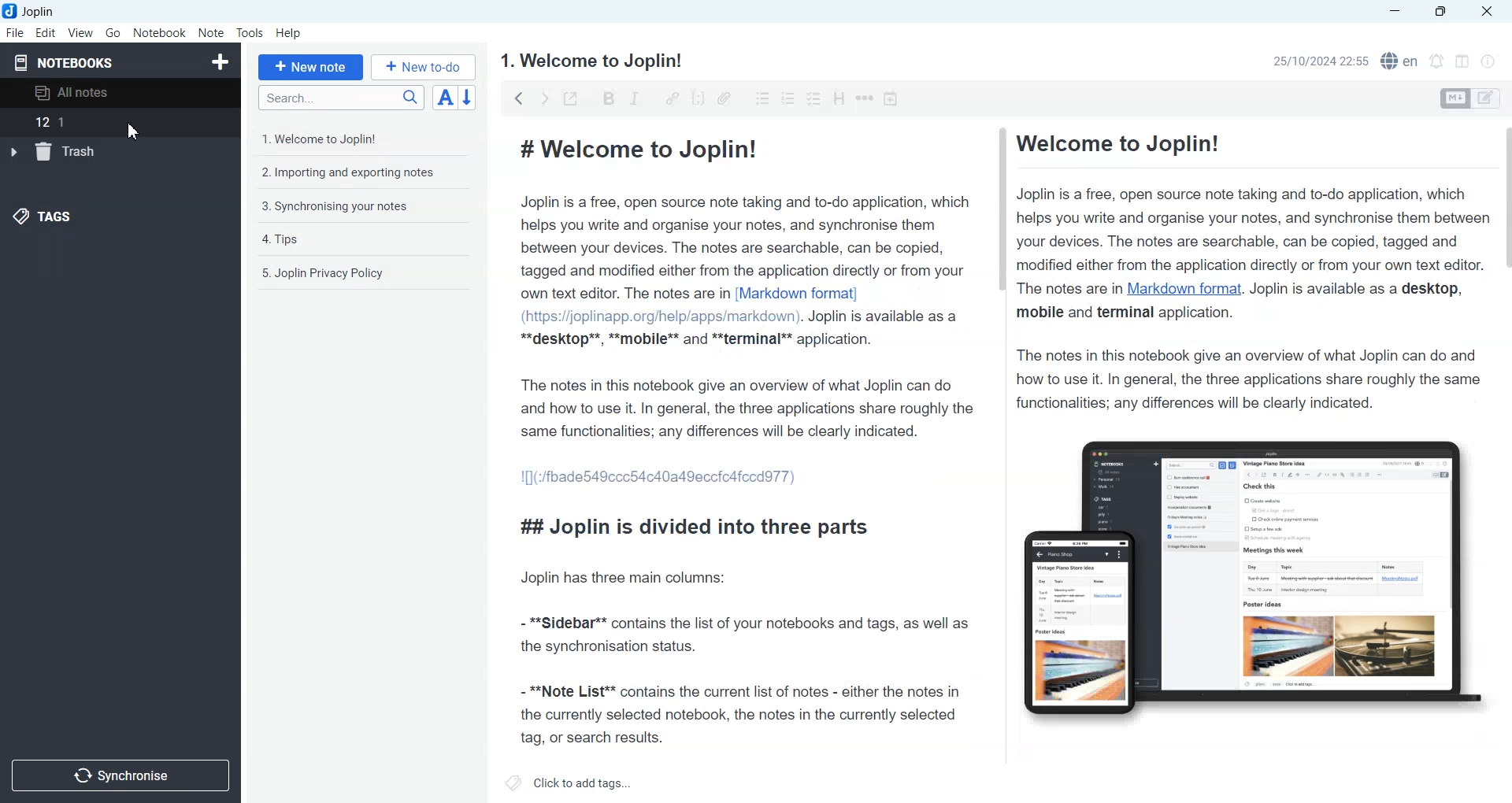 Image resolution: width=1512 pixels, height=803 pixels. I want to click on Welcome to Joplin!

Joplin is a free, open source note taking and to-do application, which
helps you write and organise your notes, and synchronise them between
your devices. The notes are searchable, can be copied, tagged and
modified either from the application directly or from your own text editor.
The notes are in Markdown format. Joplin is available as a desktop,
mobile and terminal application.

The notes in this notebook give an overview of what Joplin can do and
how to use it. In general, the three applications share roughly the same
functionalities; any differences will be clearly indicated., so click(1247, 271).